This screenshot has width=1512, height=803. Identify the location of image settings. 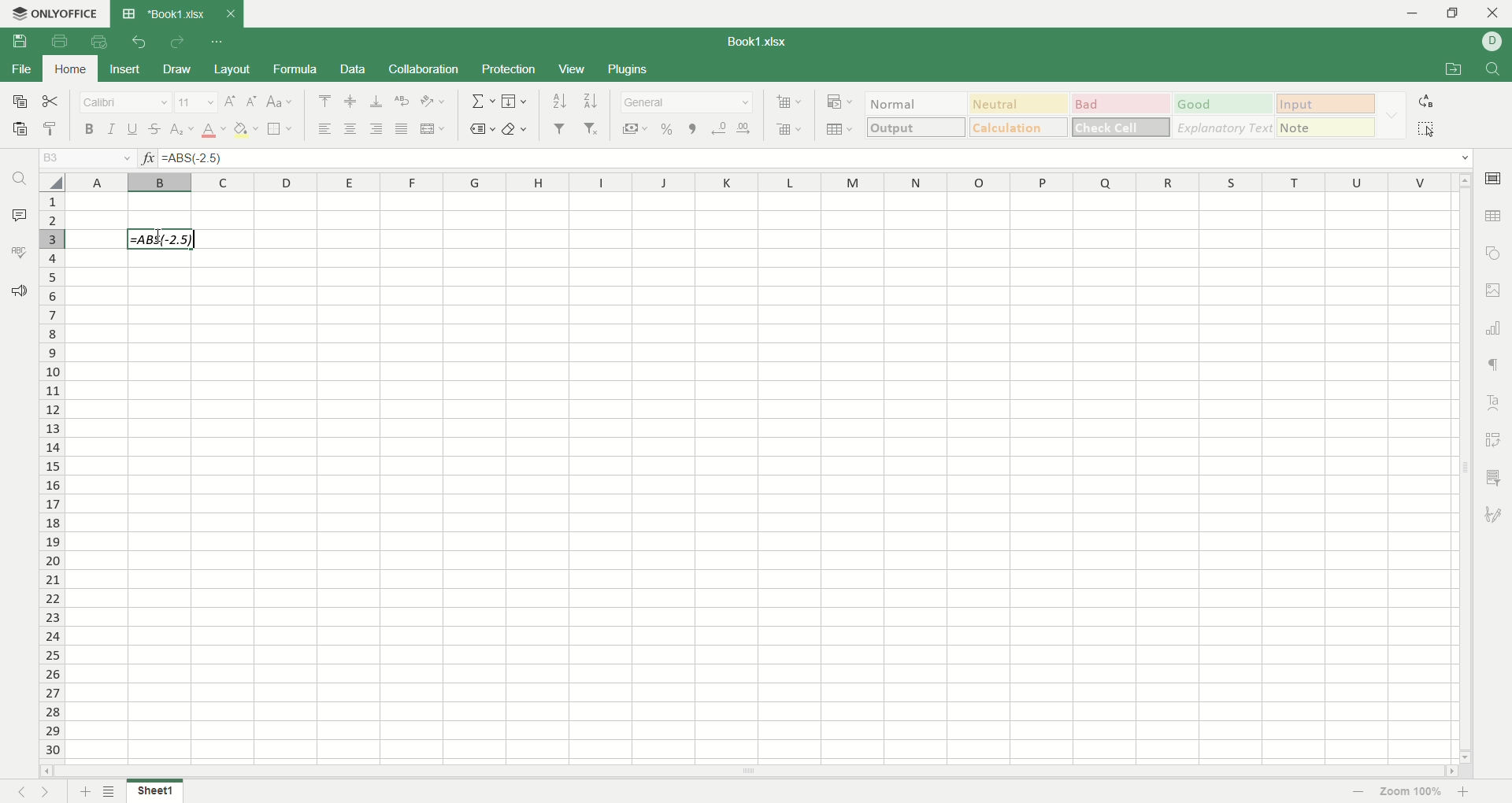
(1495, 290).